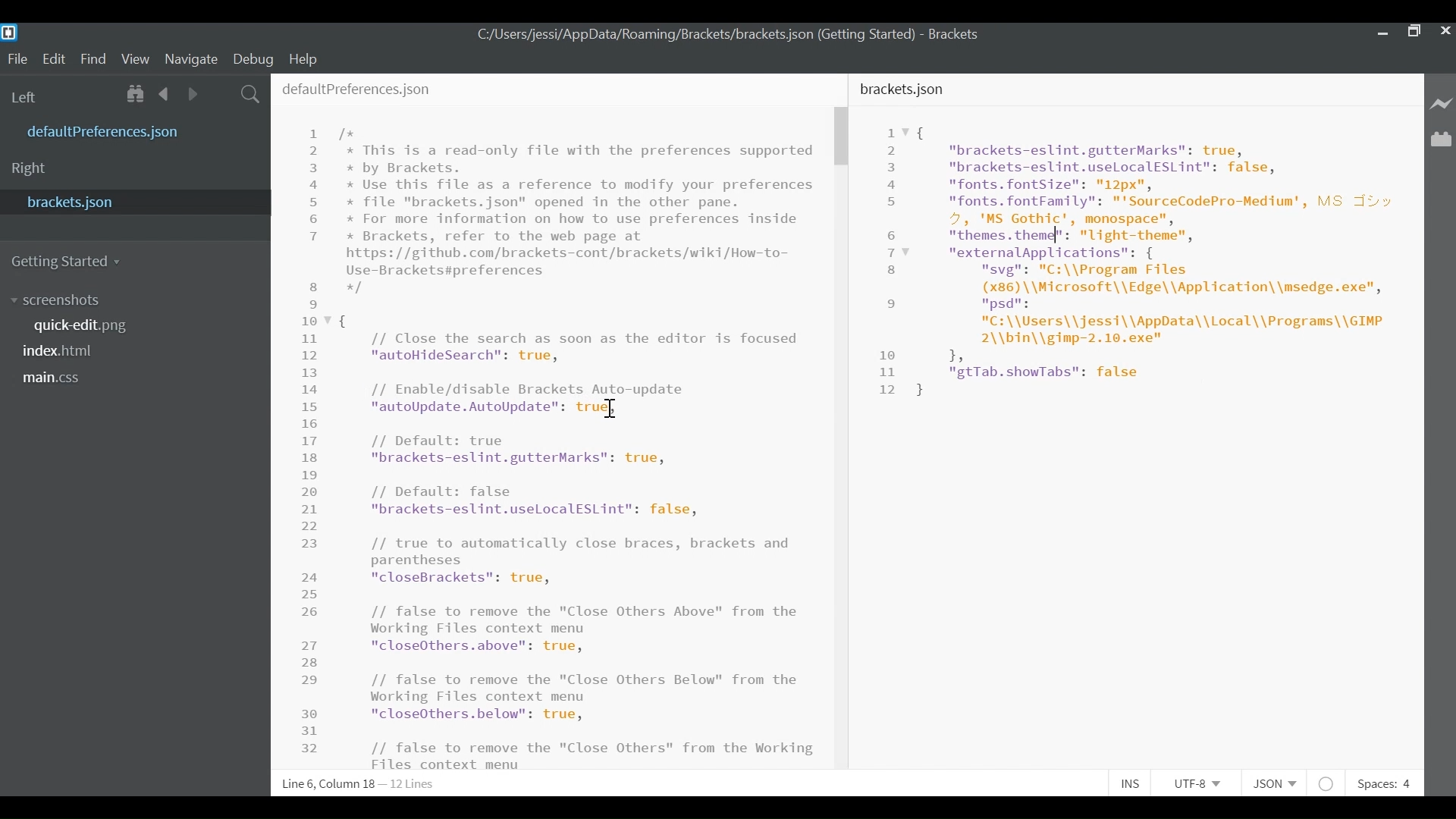  Describe the element at coordinates (1441, 140) in the screenshot. I see `Manage Extensions` at that location.